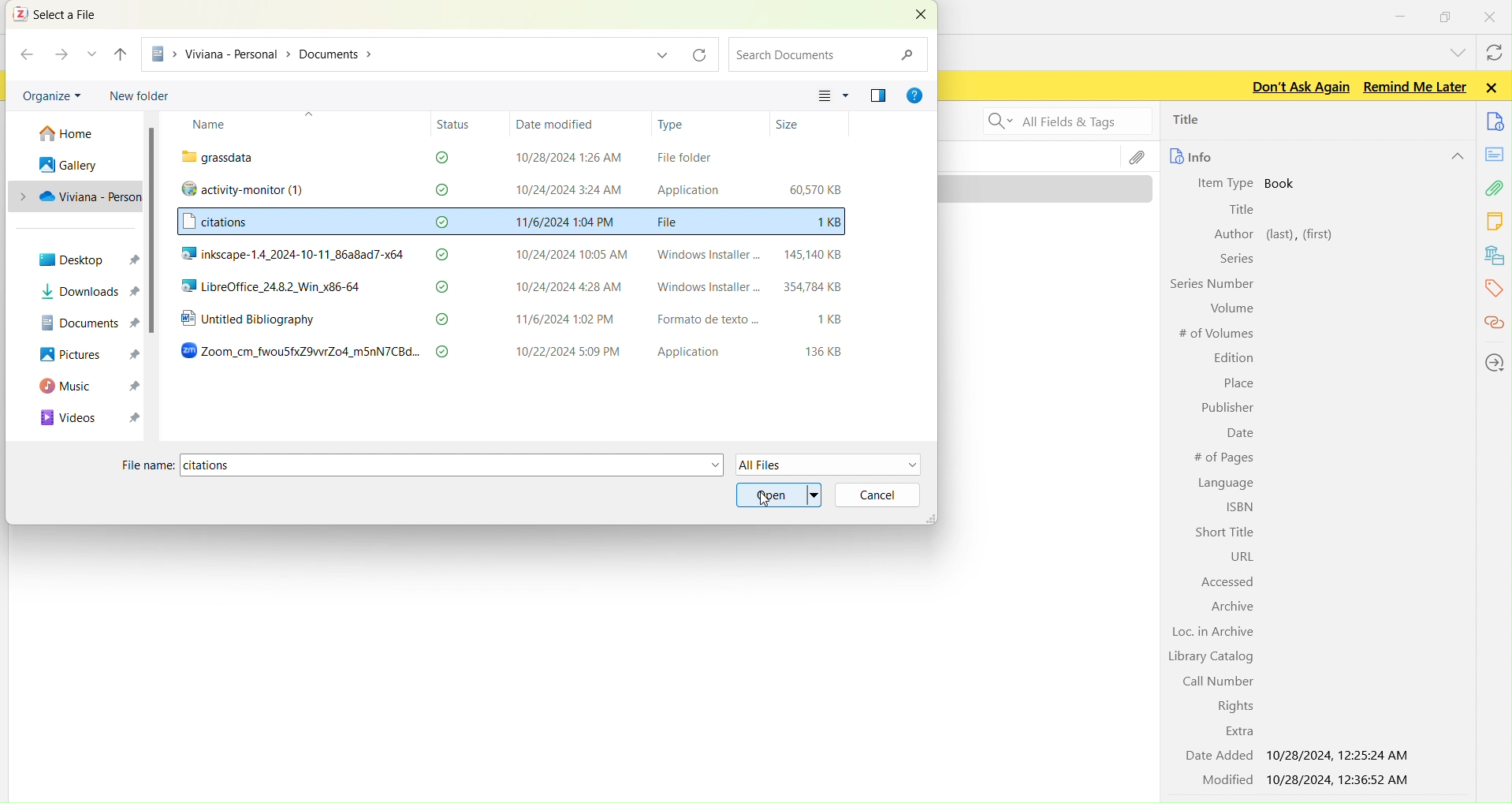 This screenshot has height=803, width=1512. I want to click on minimize, so click(1401, 13).